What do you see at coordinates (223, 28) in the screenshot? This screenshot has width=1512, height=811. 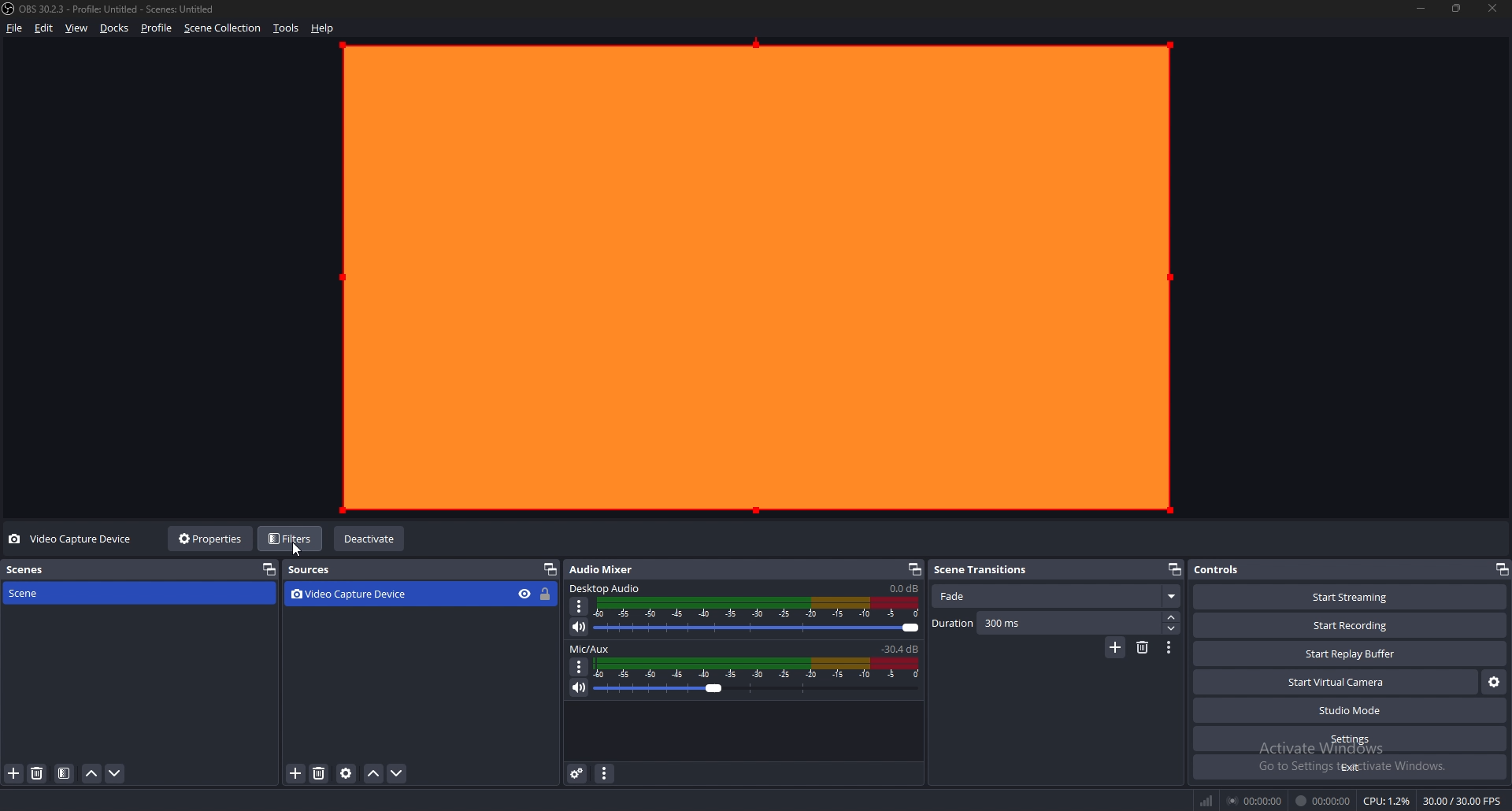 I see `scene collection` at bounding box center [223, 28].